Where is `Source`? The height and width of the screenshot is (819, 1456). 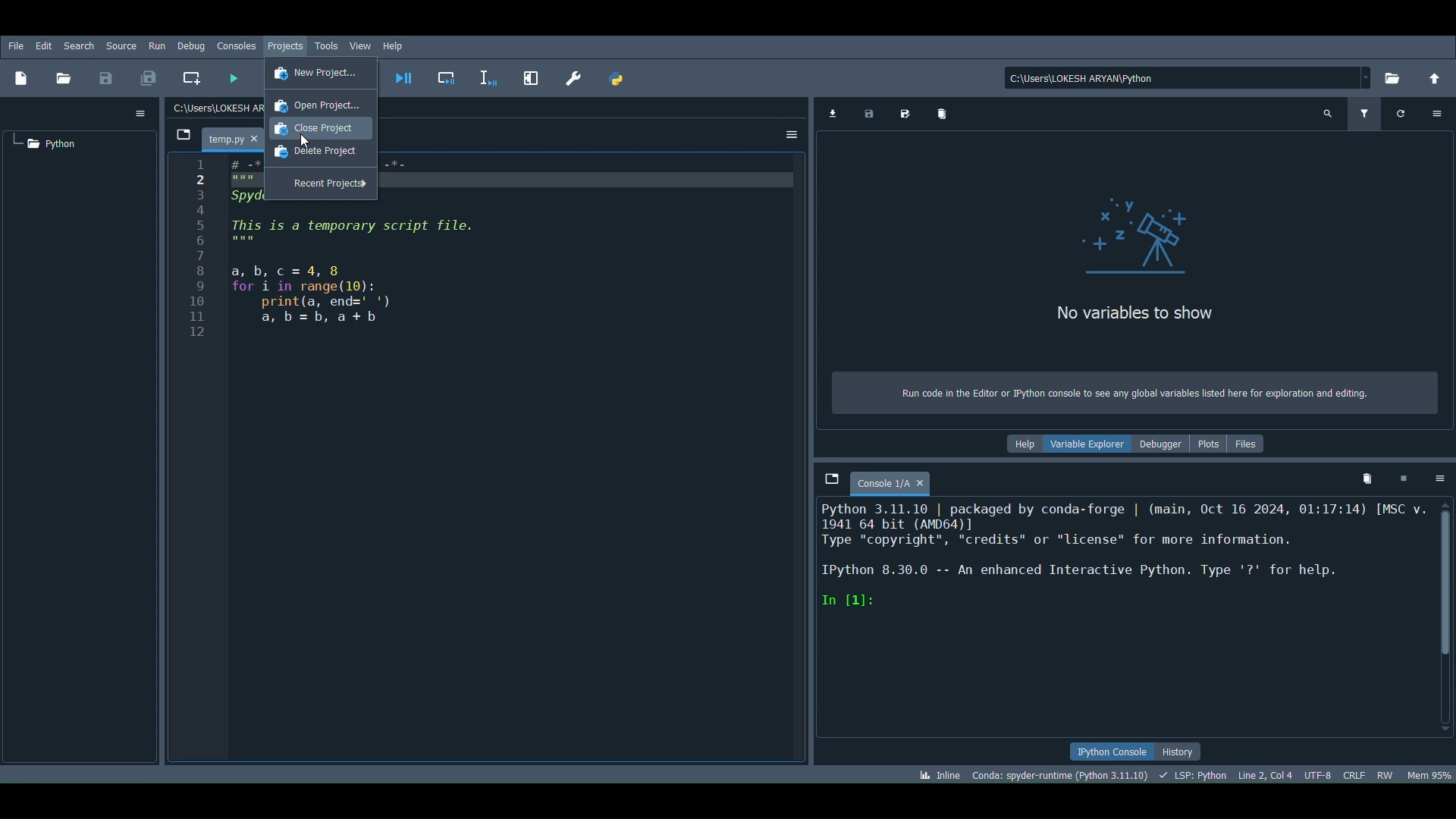
Source is located at coordinates (121, 45).